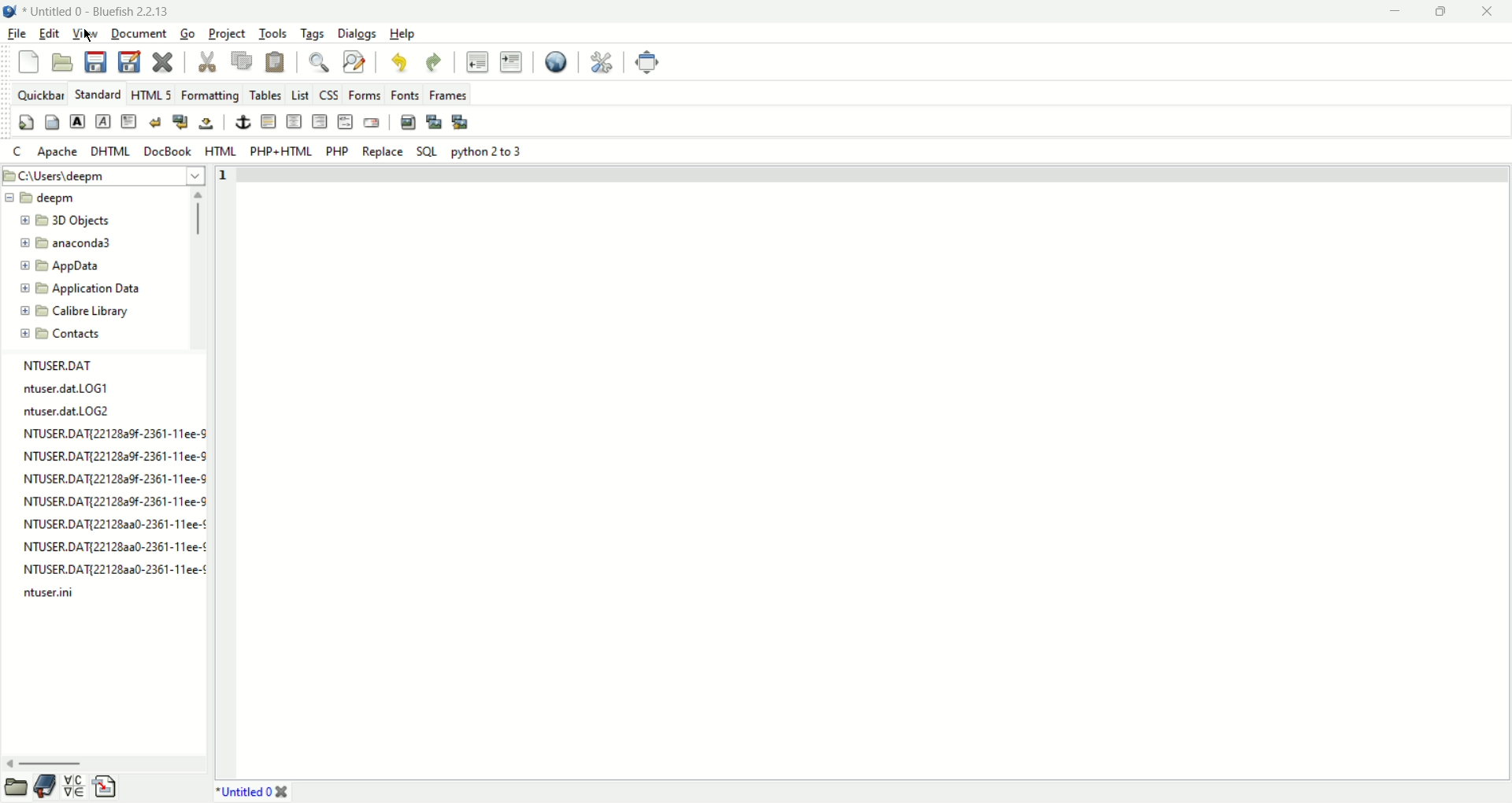 The image size is (1512, 803). Describe the element at coordinates (72, 787) in the screenshot. I see `char map` at that location.